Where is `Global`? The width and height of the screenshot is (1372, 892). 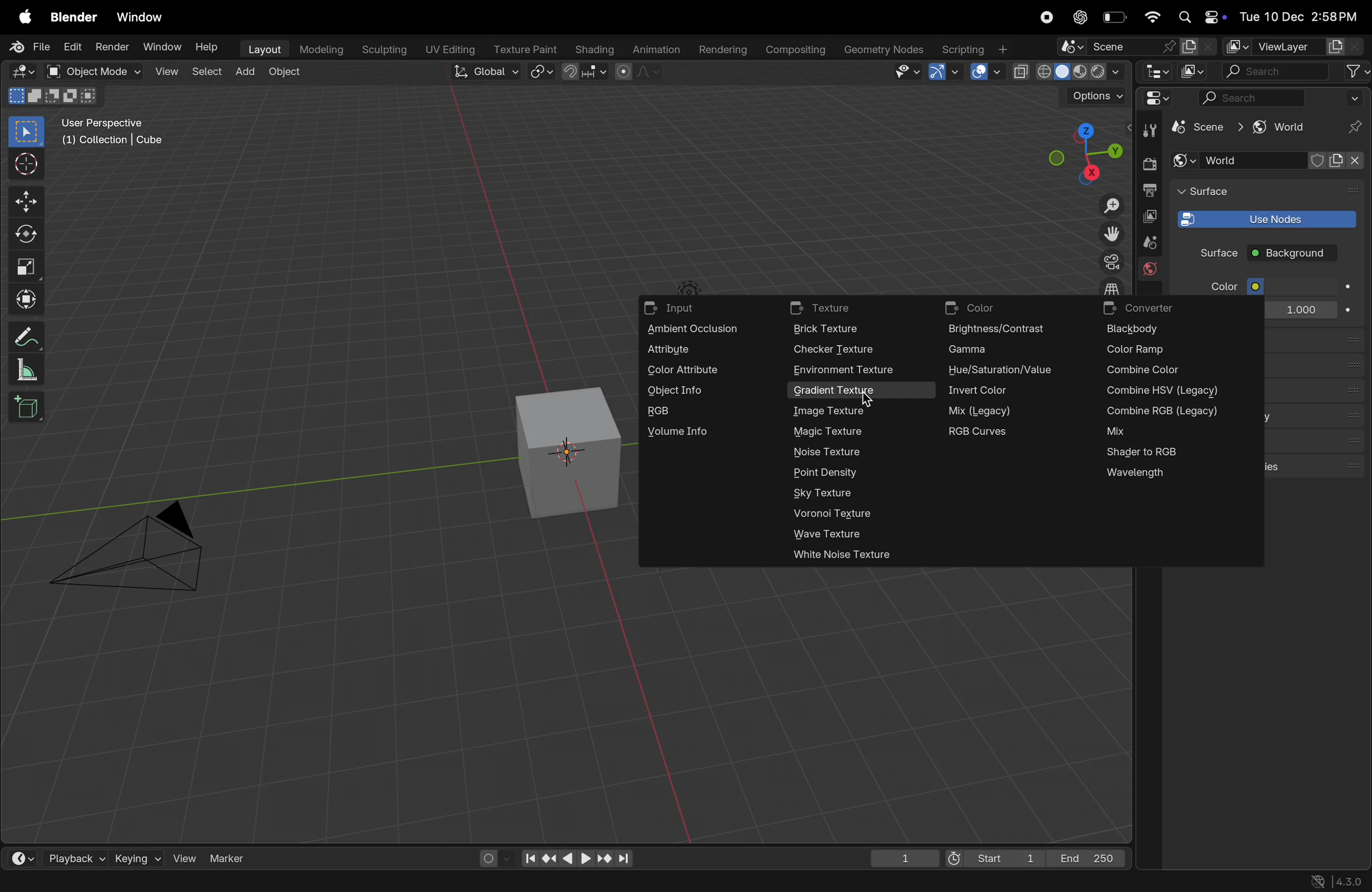
Global is located at coordinates (482, 71).